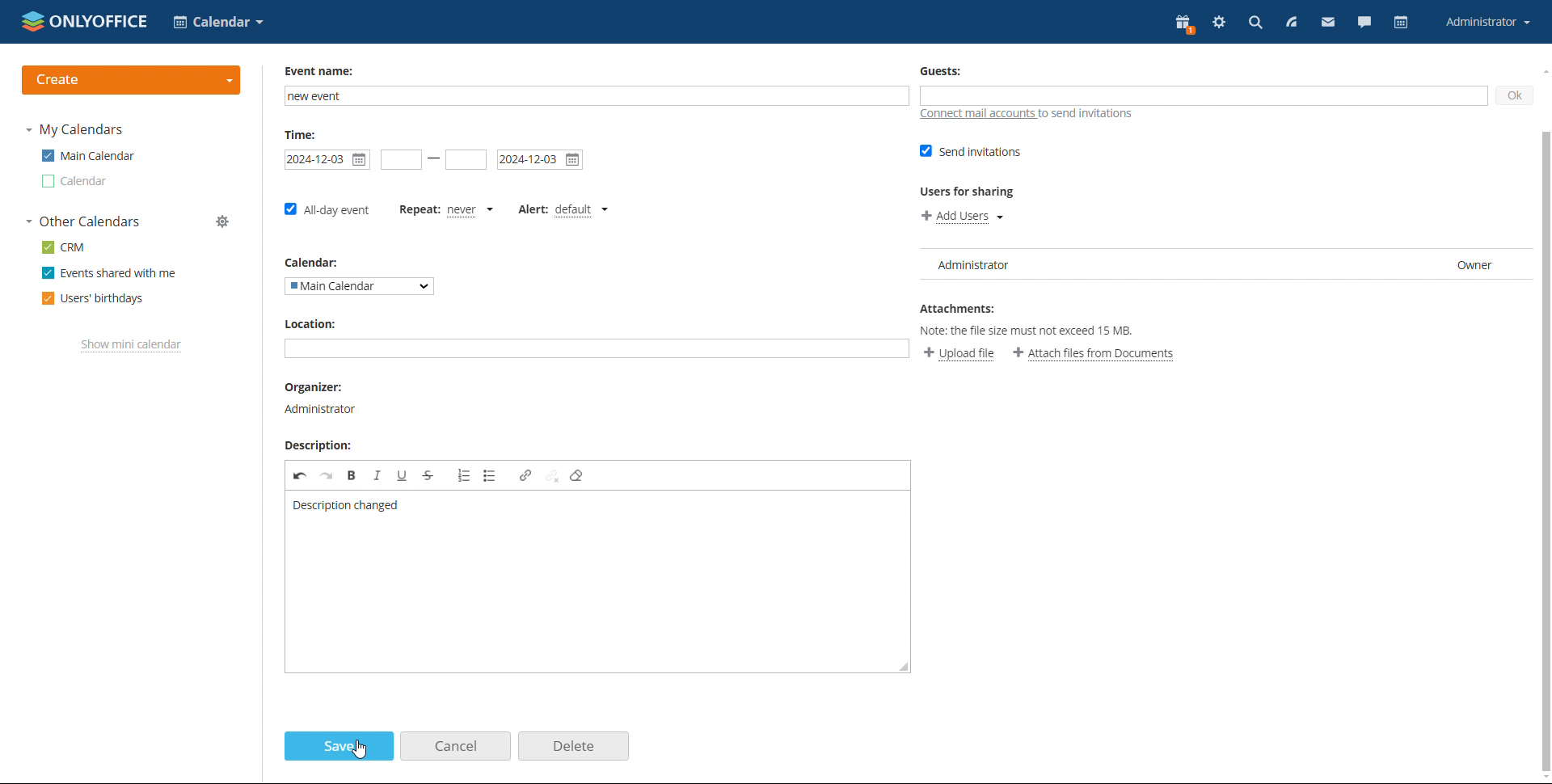 This screenshot has height=784, width=1552. What do you see at coordinates (597, 349) in the screenshot?
I see `add location` at bounding box center [597, 349].